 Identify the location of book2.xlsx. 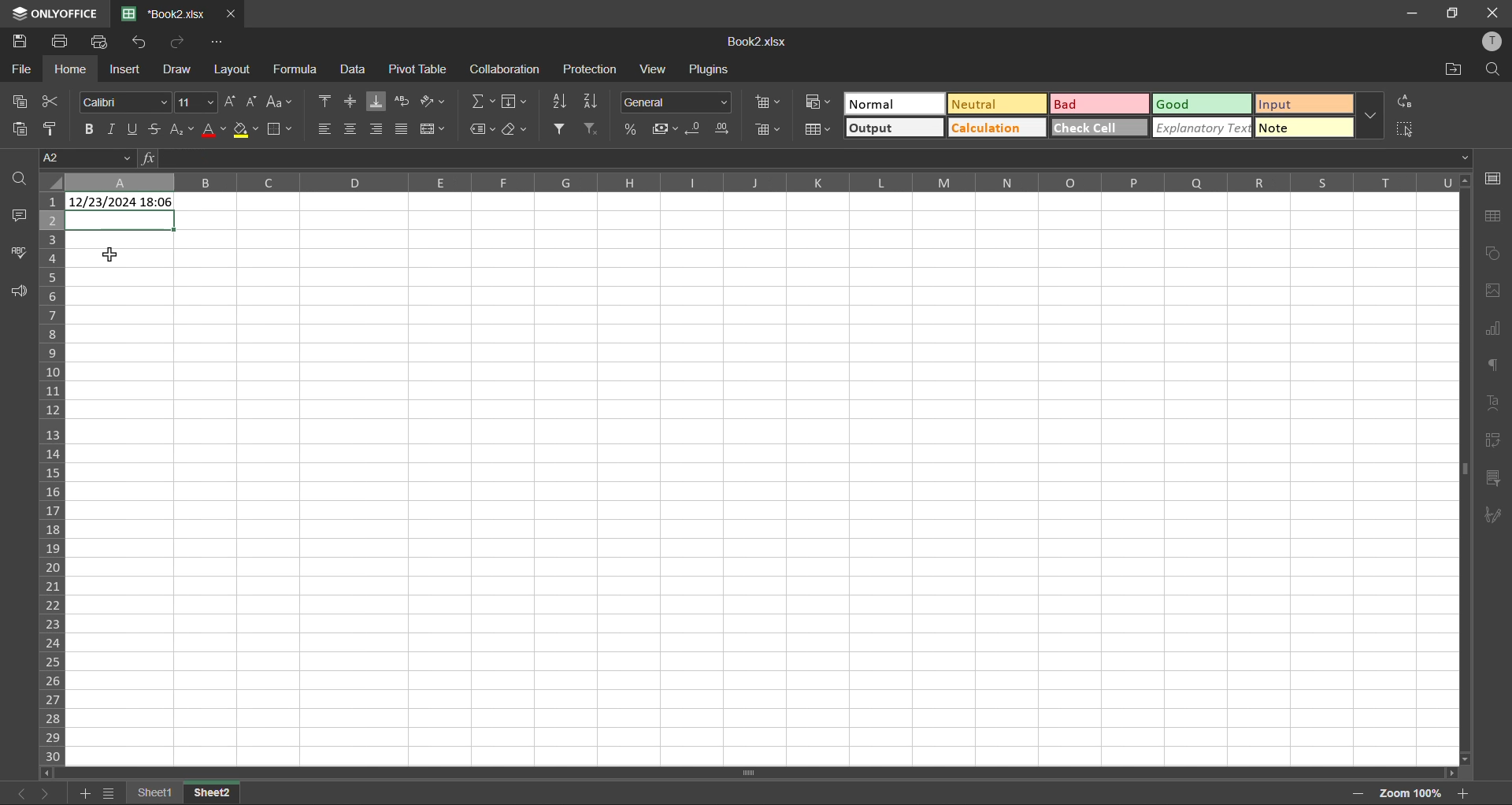
(162, 13).